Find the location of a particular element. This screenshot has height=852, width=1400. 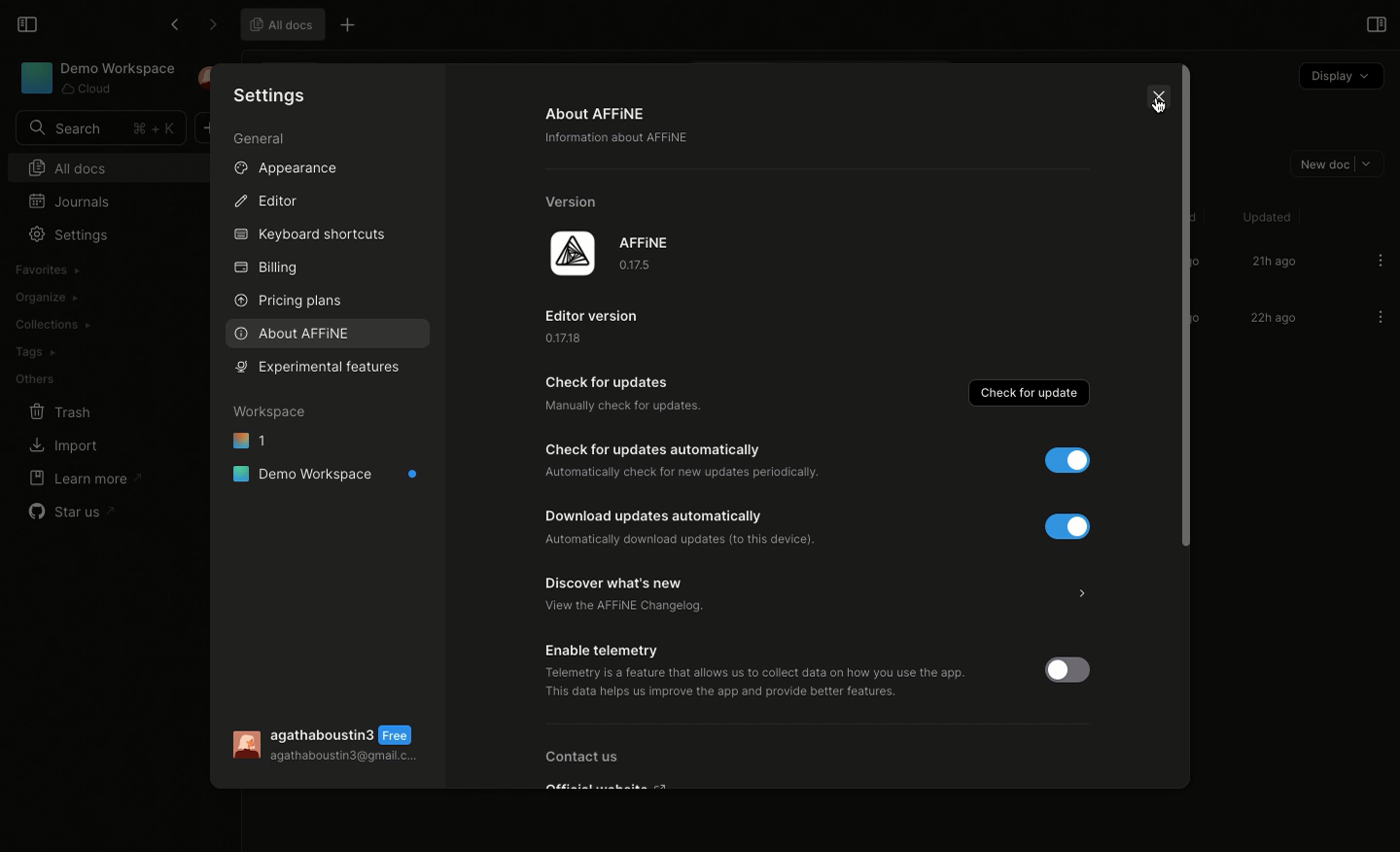

Enable telemetry is located at coordinates (770, 672).